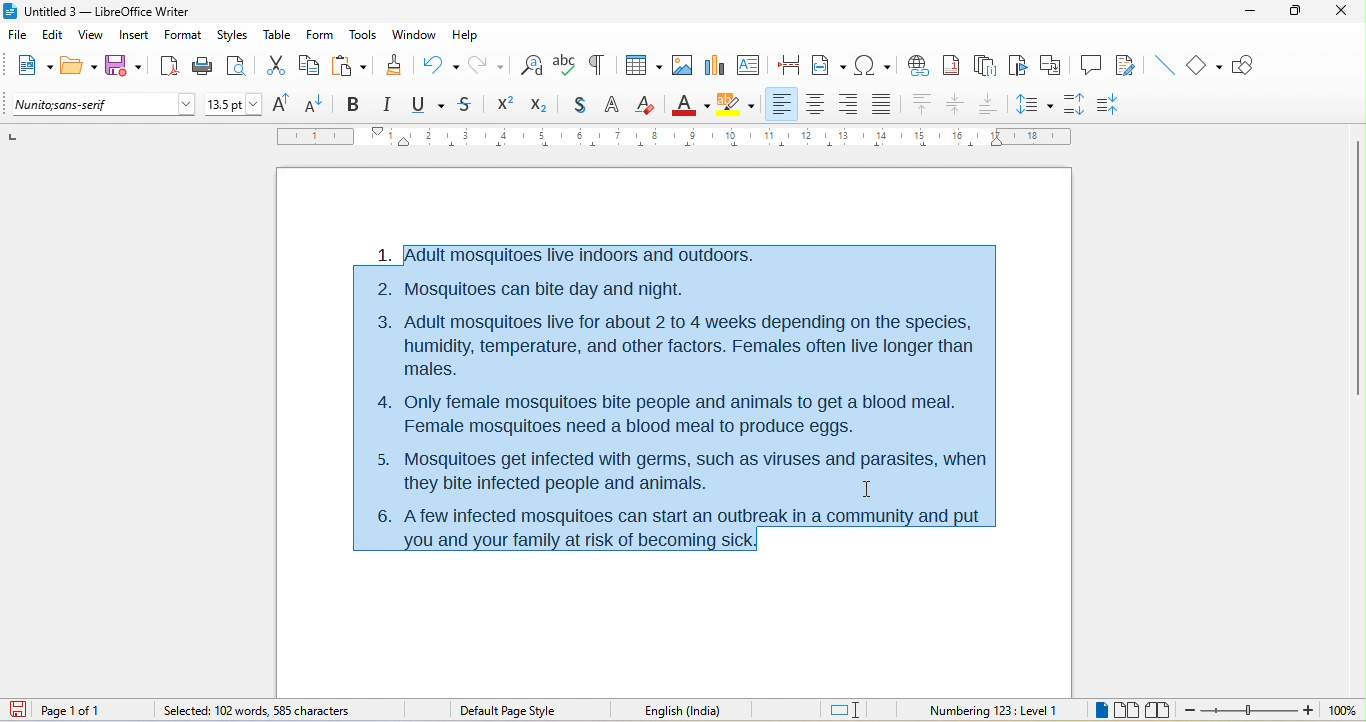 The height and width of the screenshot is (722, 1366). I want to click on justified, so click(878, 105).